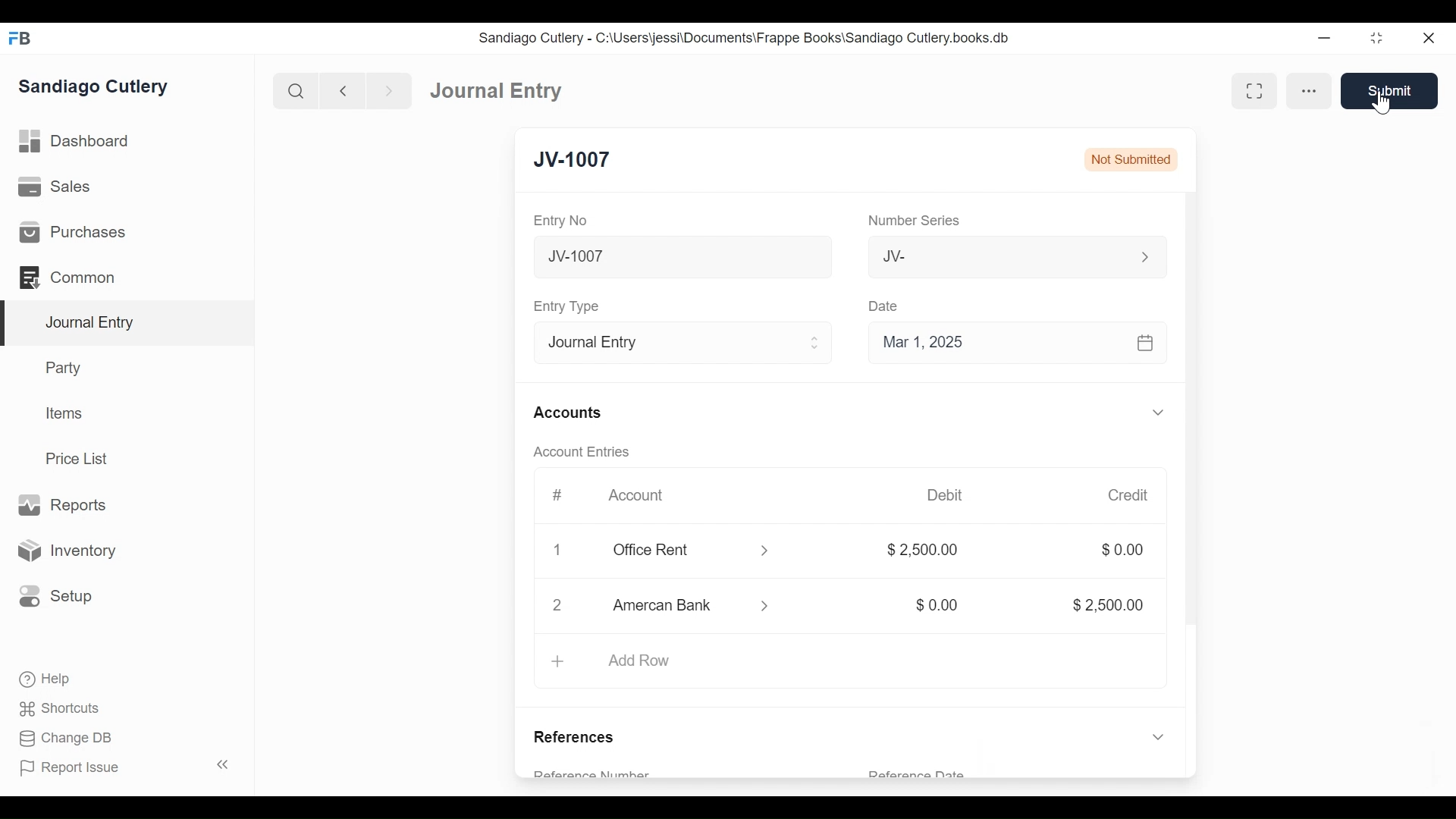 Image resolution: width=1456 pixels, height=819 pixels. Describe the element at coordinates (343, 89) in the screenshot. I see `back` at that location.